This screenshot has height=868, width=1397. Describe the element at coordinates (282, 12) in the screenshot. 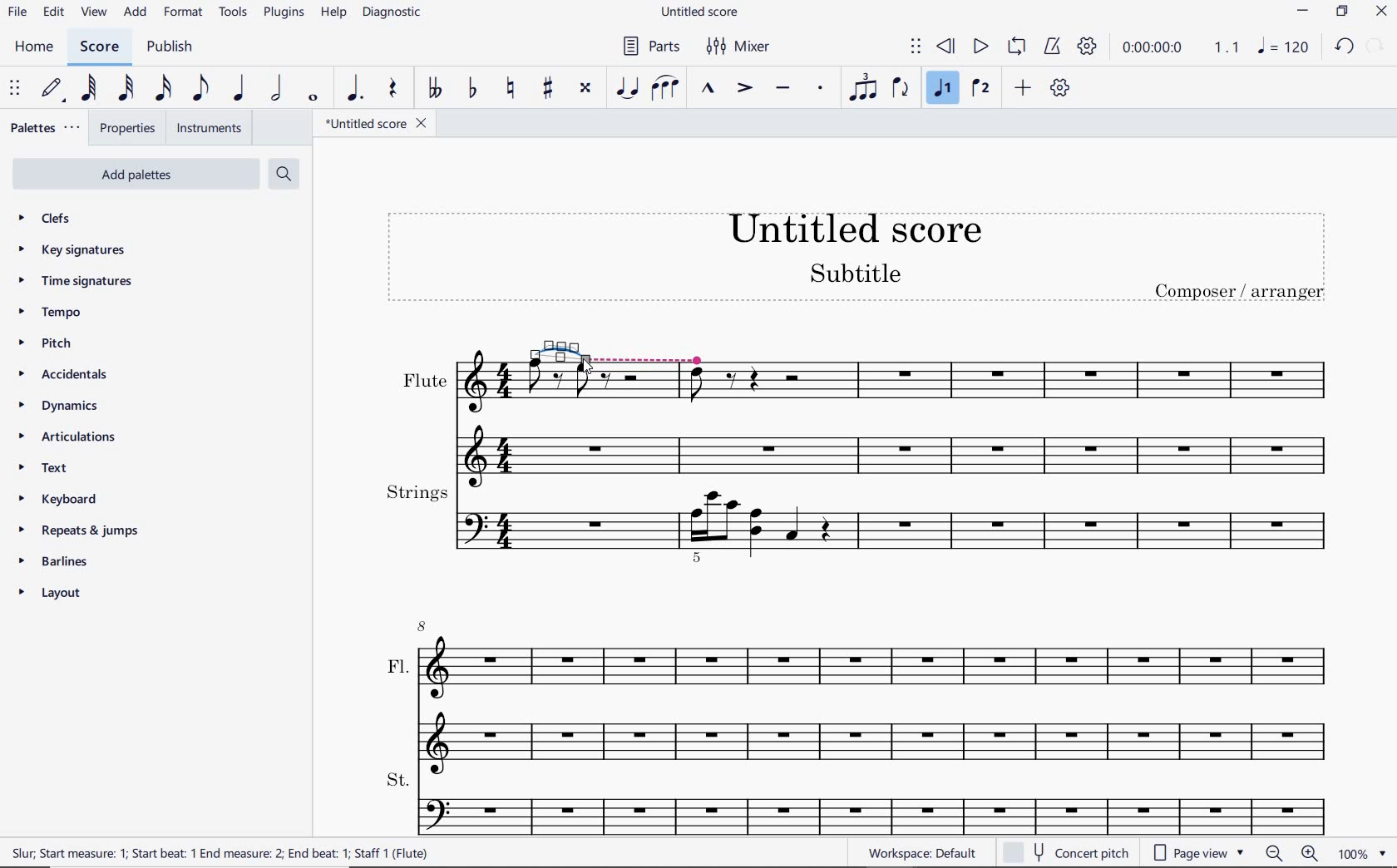

I see `plugins` at that location.